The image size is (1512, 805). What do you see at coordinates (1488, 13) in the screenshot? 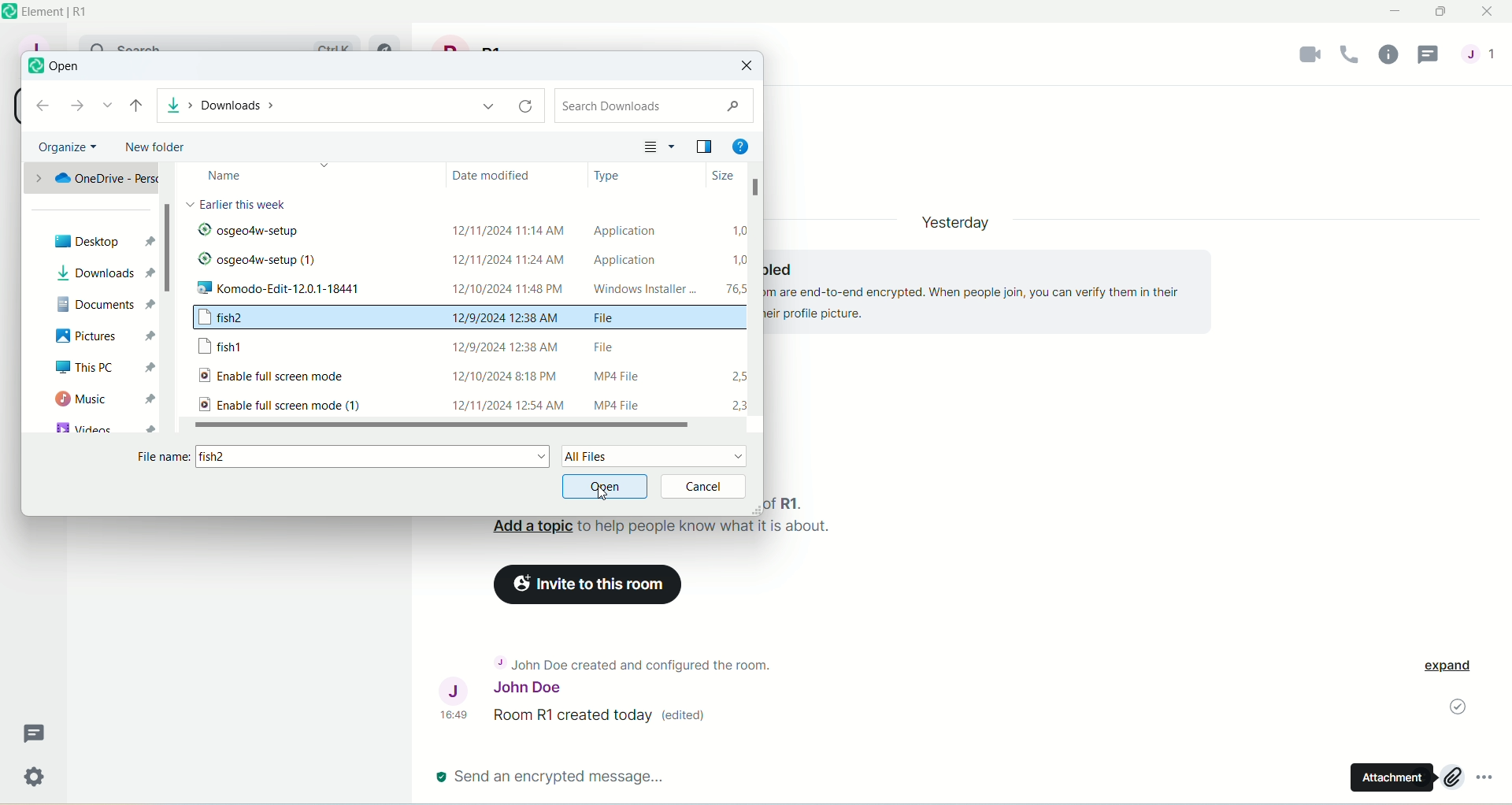
I see `close` at bounding box center [1488, 13].